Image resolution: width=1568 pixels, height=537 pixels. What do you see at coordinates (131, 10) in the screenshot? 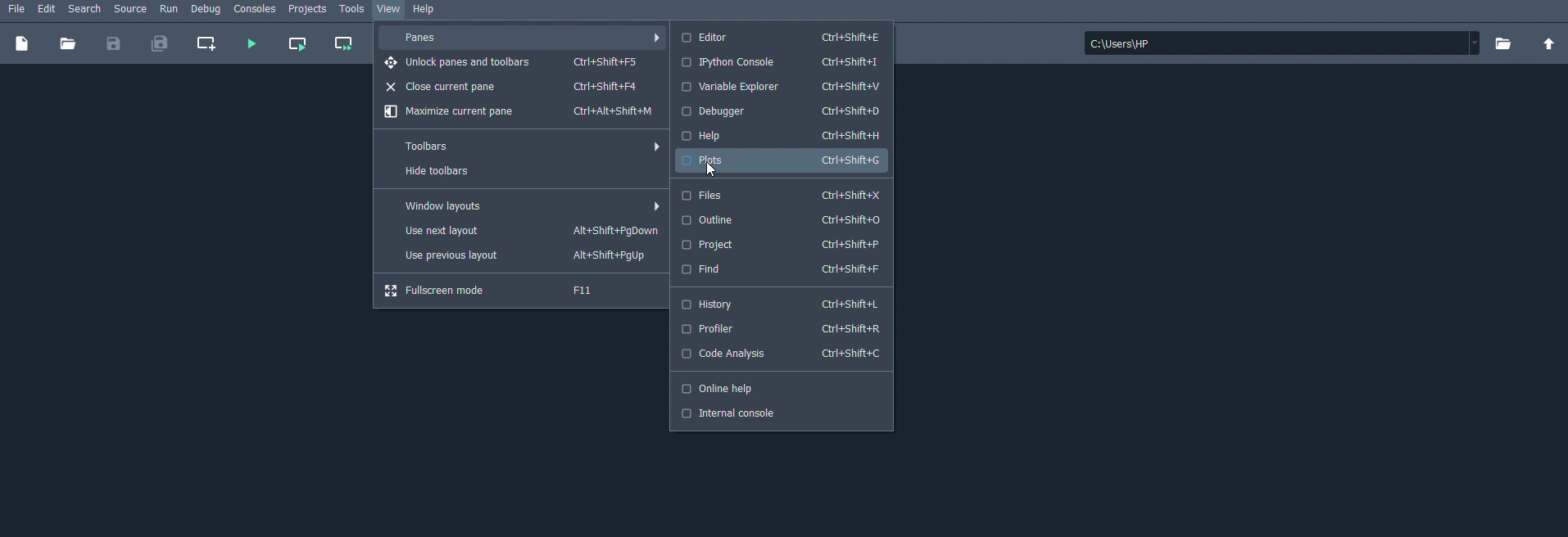
I see `Source` at bounding box center [131, 10].